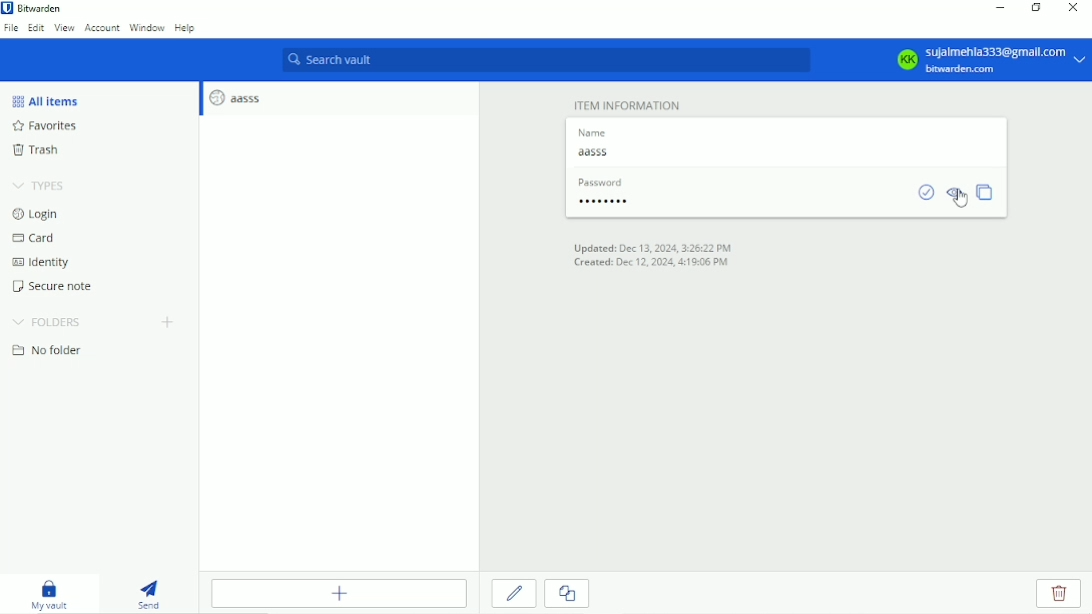 This screenshot has height=614, width=1092. What do you see at coordinates (545, 58) in the screenshot?
I see `Search vault` at bounding box center [545, 58].